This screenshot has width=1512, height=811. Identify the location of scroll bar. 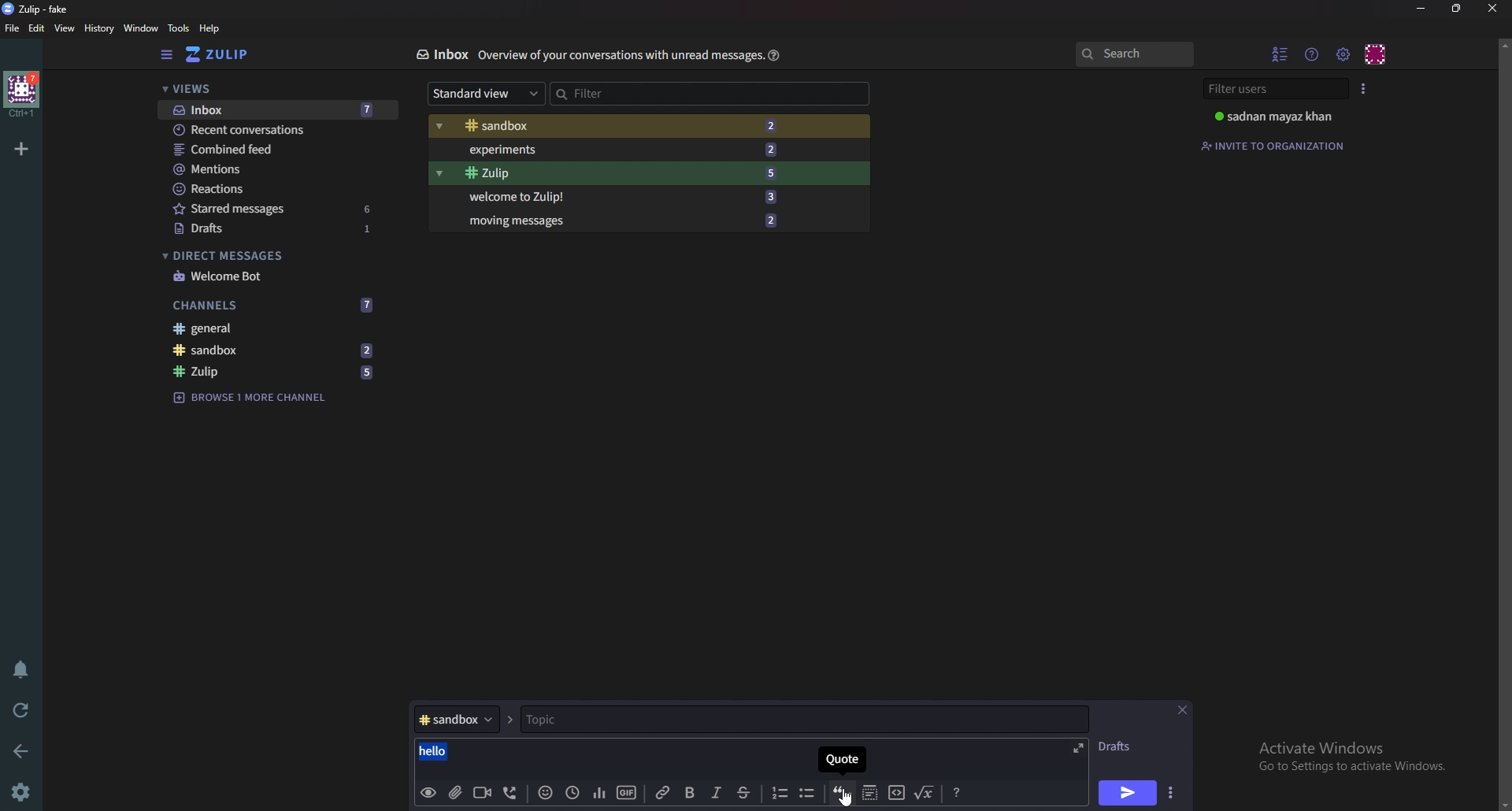
(1504, 424).